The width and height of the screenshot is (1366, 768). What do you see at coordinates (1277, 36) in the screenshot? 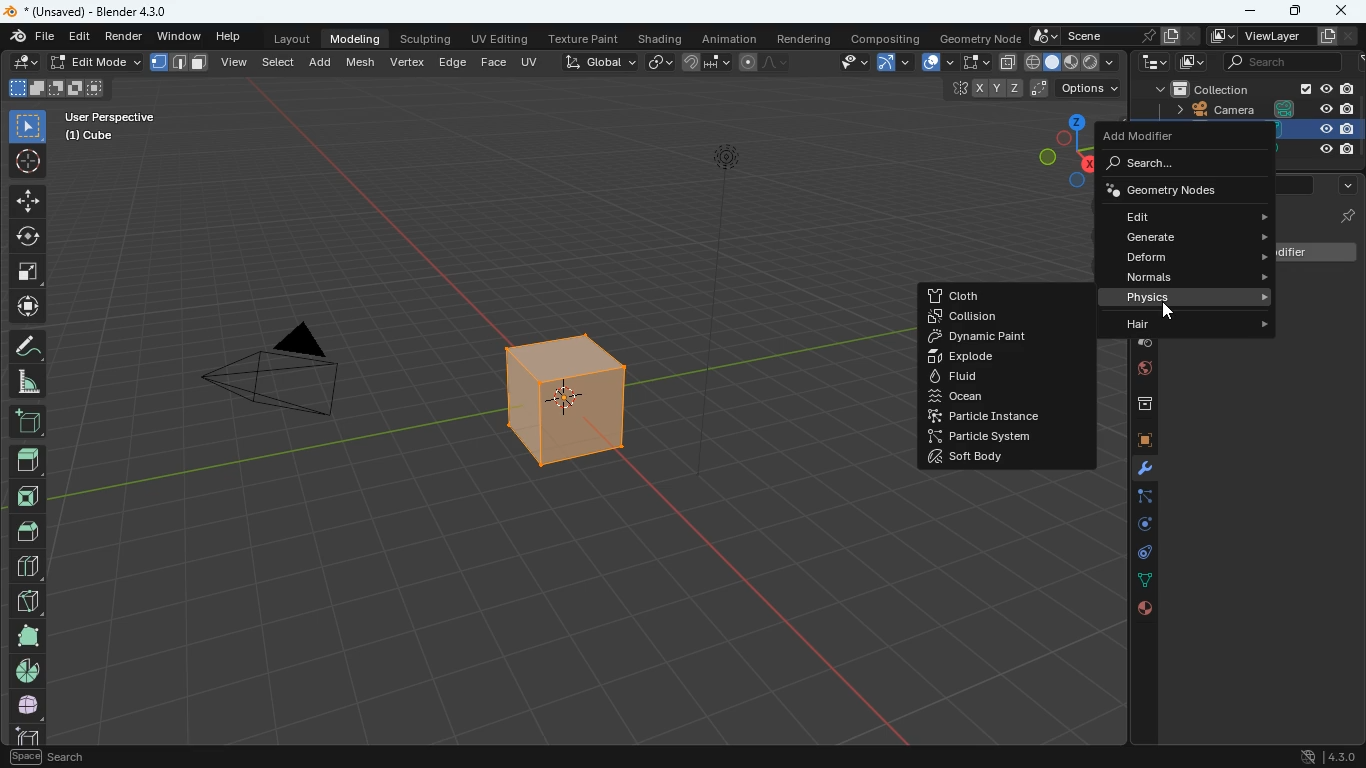
I see `viewlayer` at bounding box center [1277, 36].